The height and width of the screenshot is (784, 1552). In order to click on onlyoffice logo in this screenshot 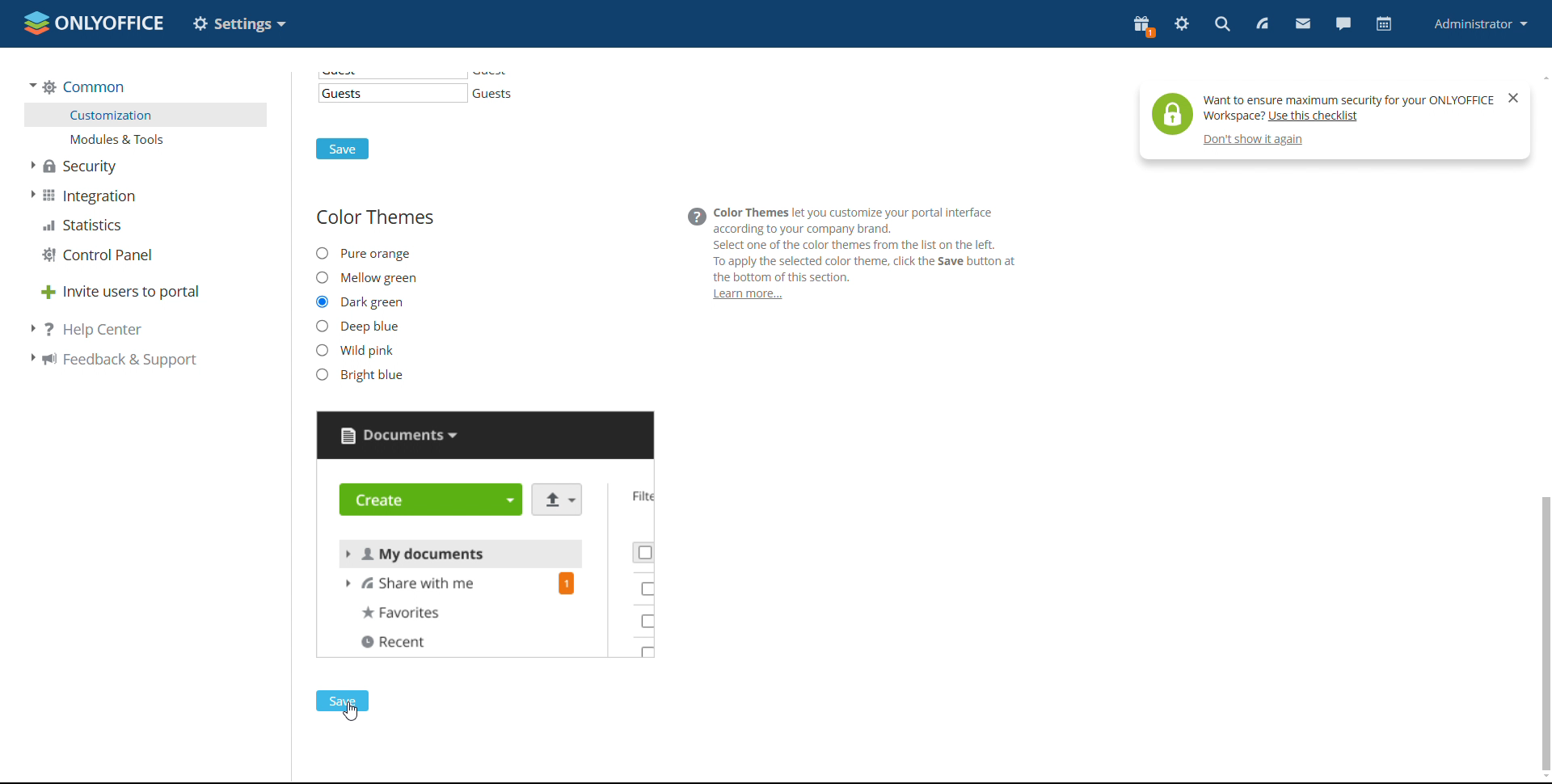, I will do `click(34, 23)`.